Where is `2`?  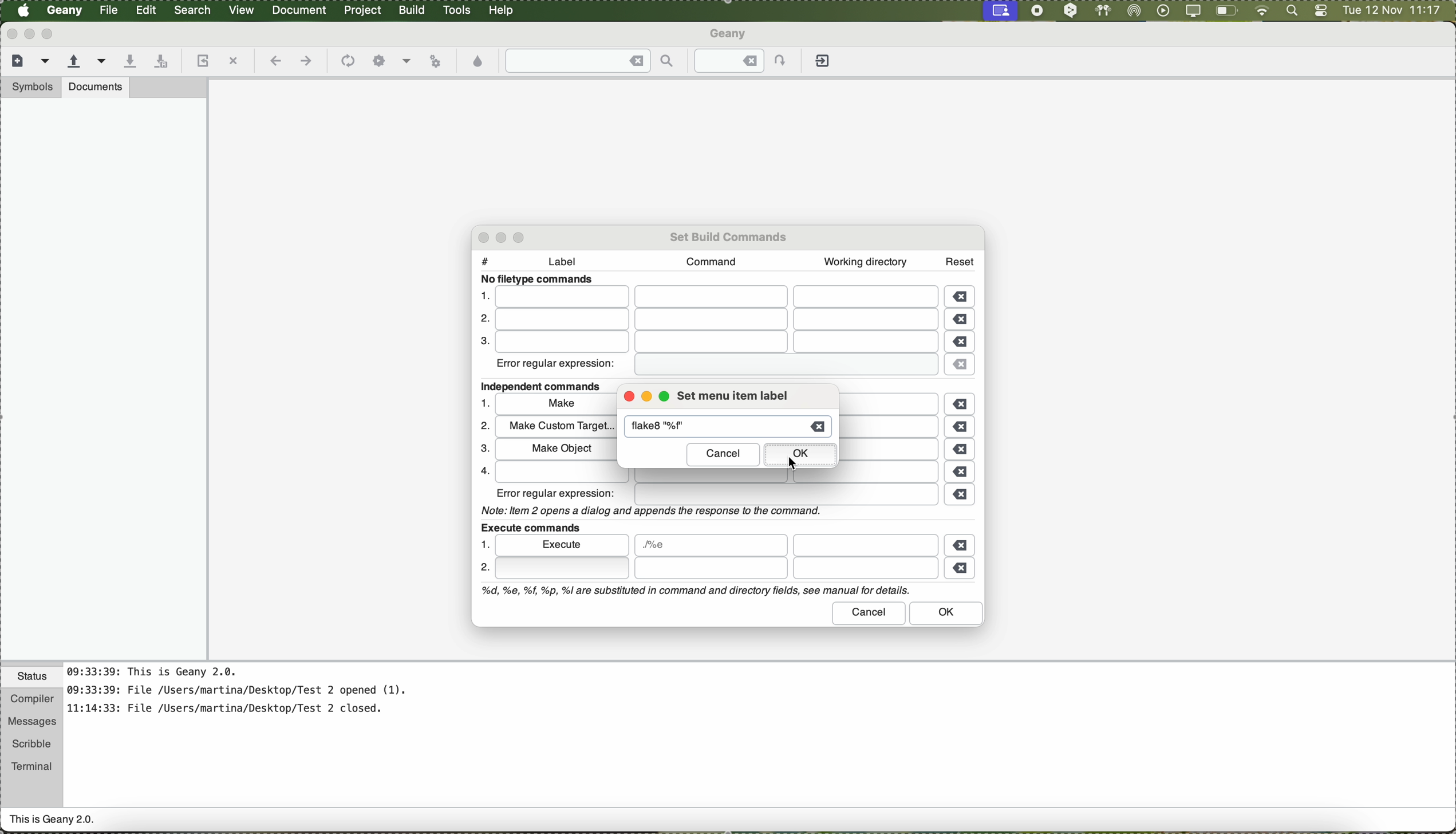
2 is located at coordinates (483, 426).